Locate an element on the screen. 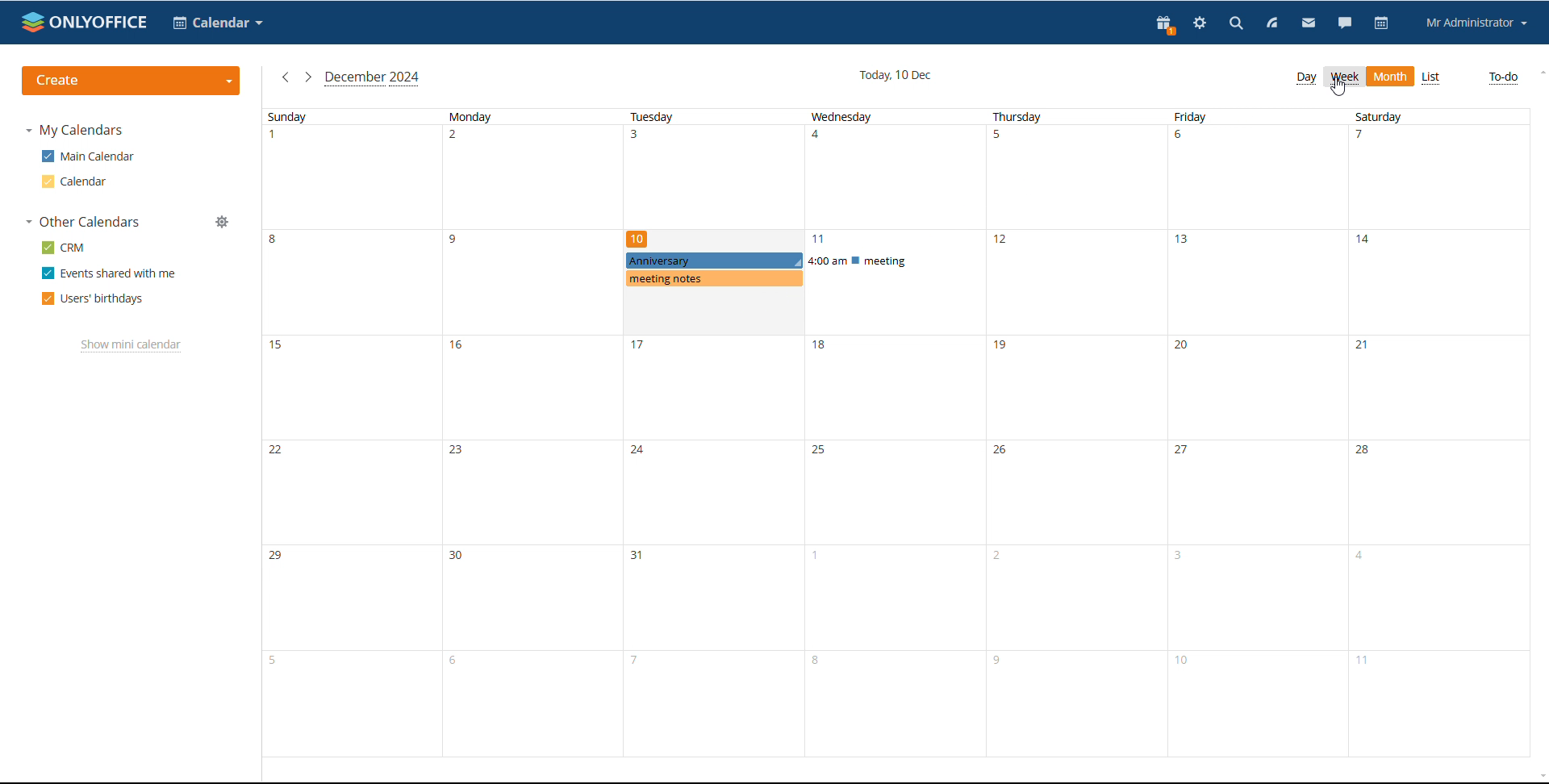 The height and width of the screenshot is (784, 1549). sunday is located at coordinates (353, 433).